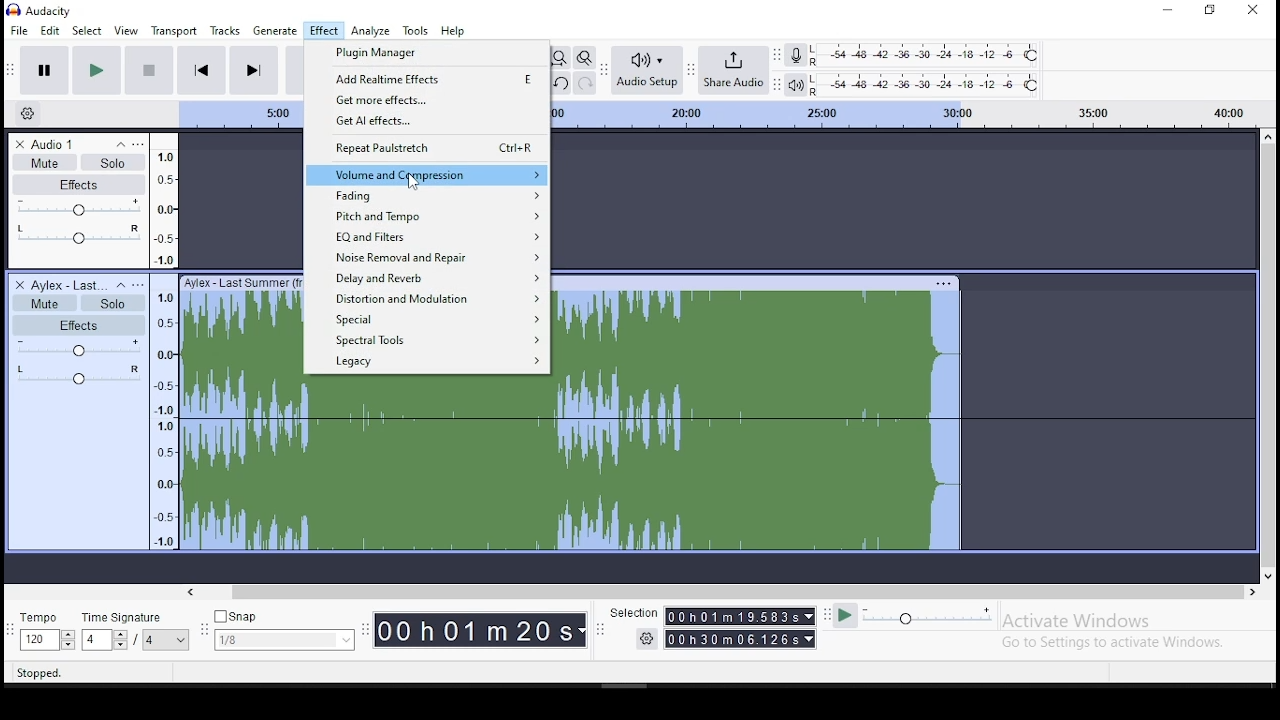 The height and width of the screenshot is (720, 1280). I want to click on get AI effects, so click(425, 123).